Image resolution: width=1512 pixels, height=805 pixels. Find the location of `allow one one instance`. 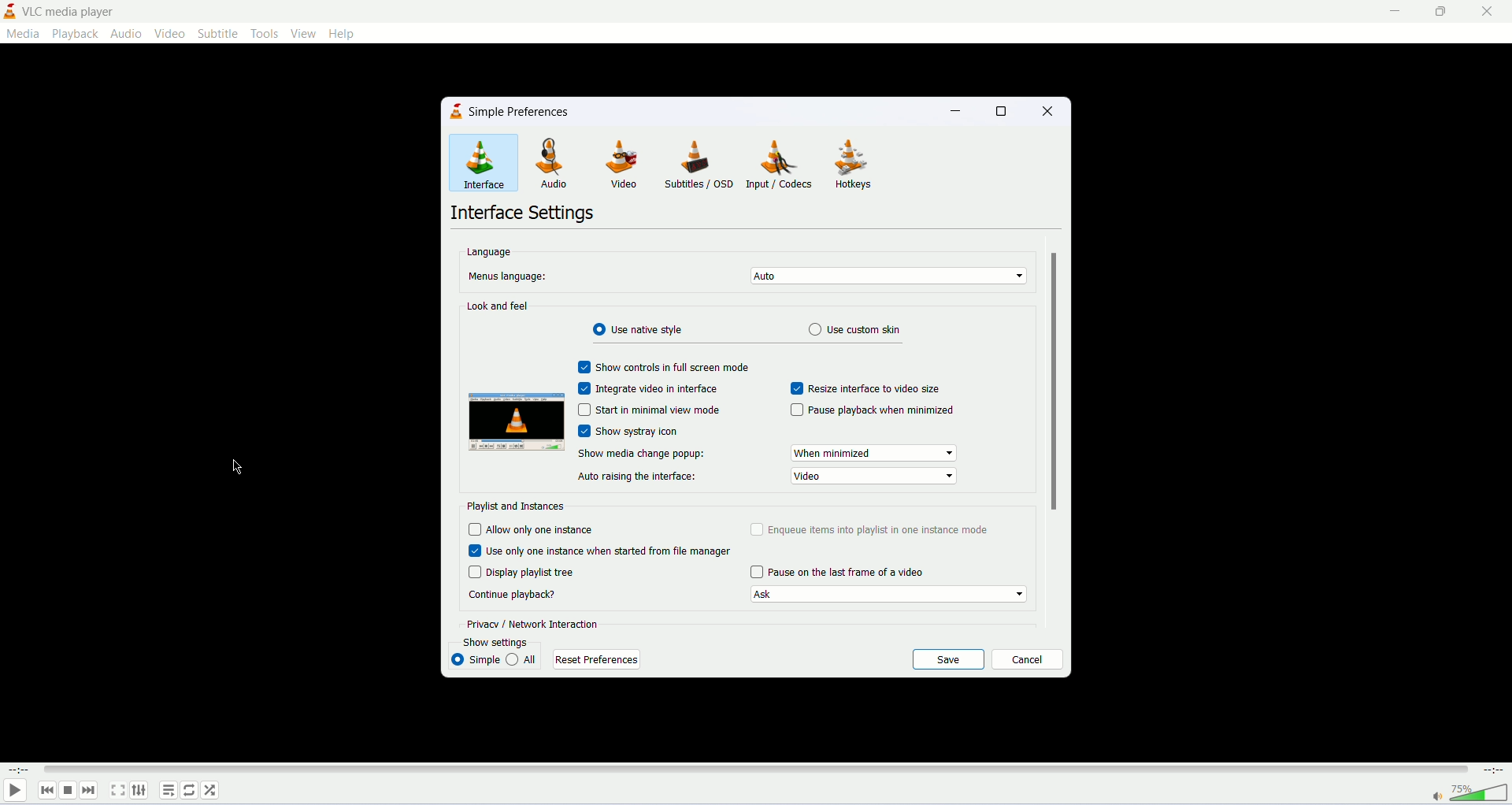

allow one one instance is located at coordinates (543, 529).